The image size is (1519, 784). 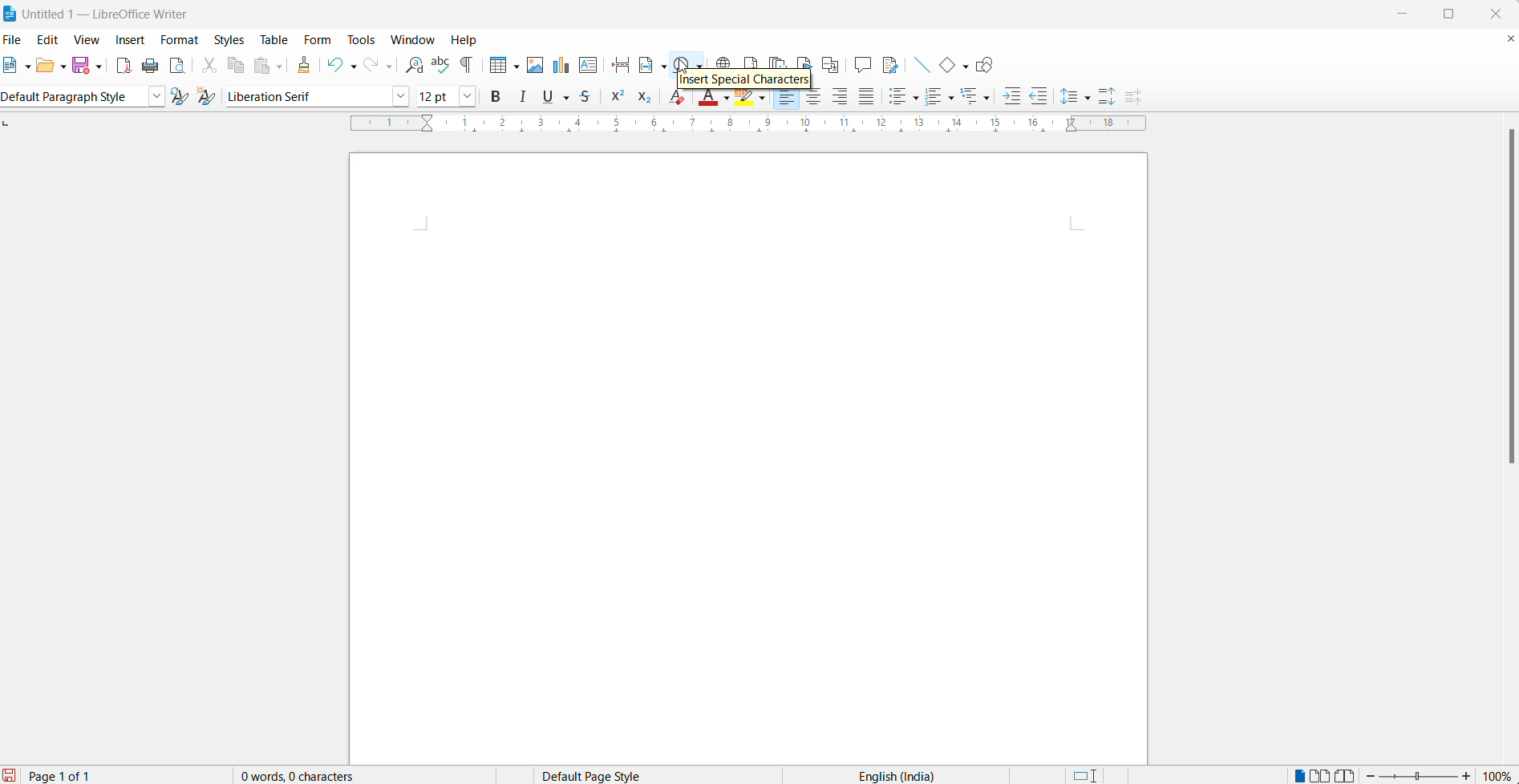 I want to click on close, so click(x=1501, y=12).